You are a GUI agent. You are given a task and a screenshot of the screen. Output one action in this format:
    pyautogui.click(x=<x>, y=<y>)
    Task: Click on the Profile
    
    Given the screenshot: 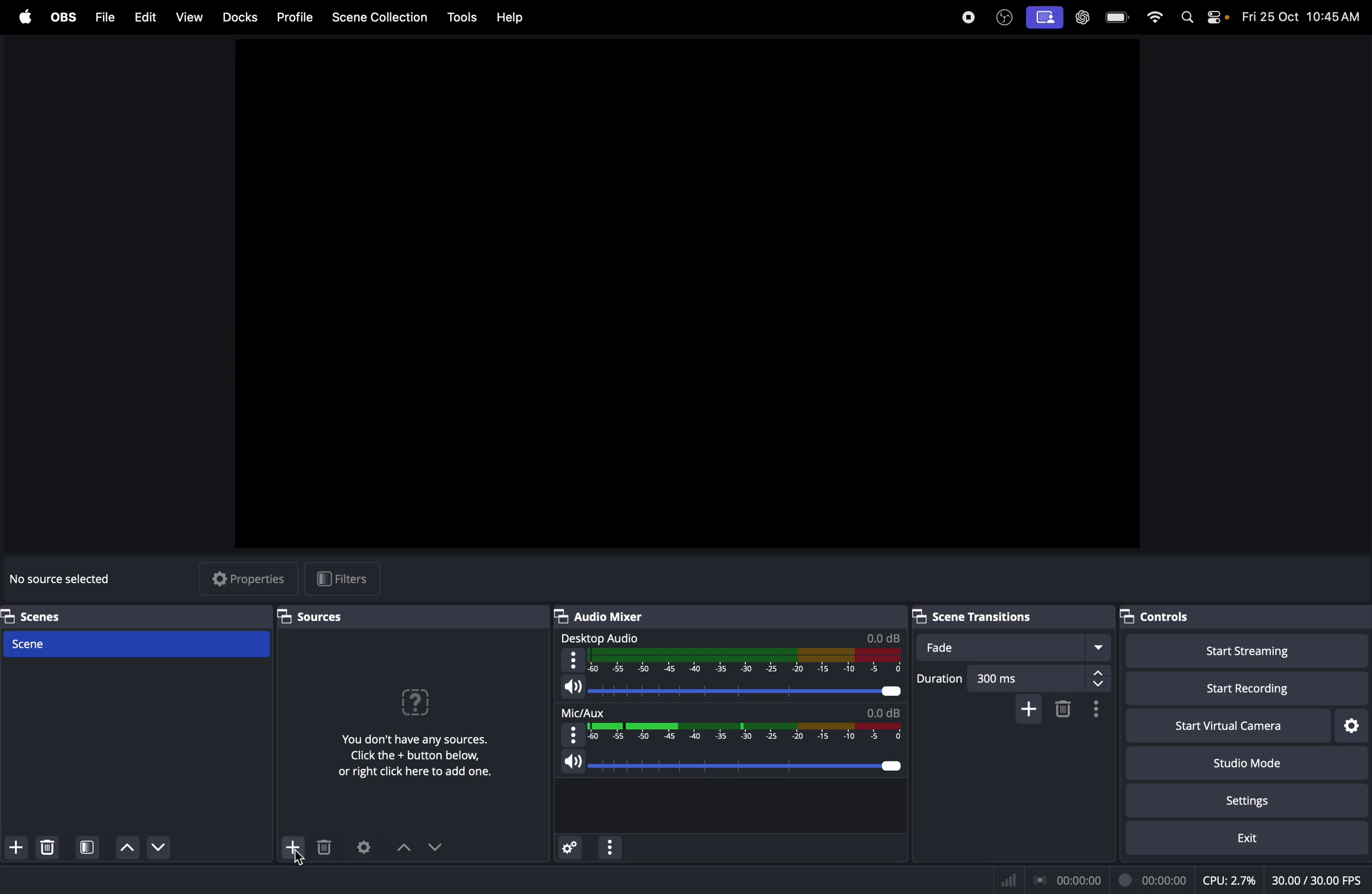 What is the action you would take?
    pyautogui.click(x=295, y=18)
    